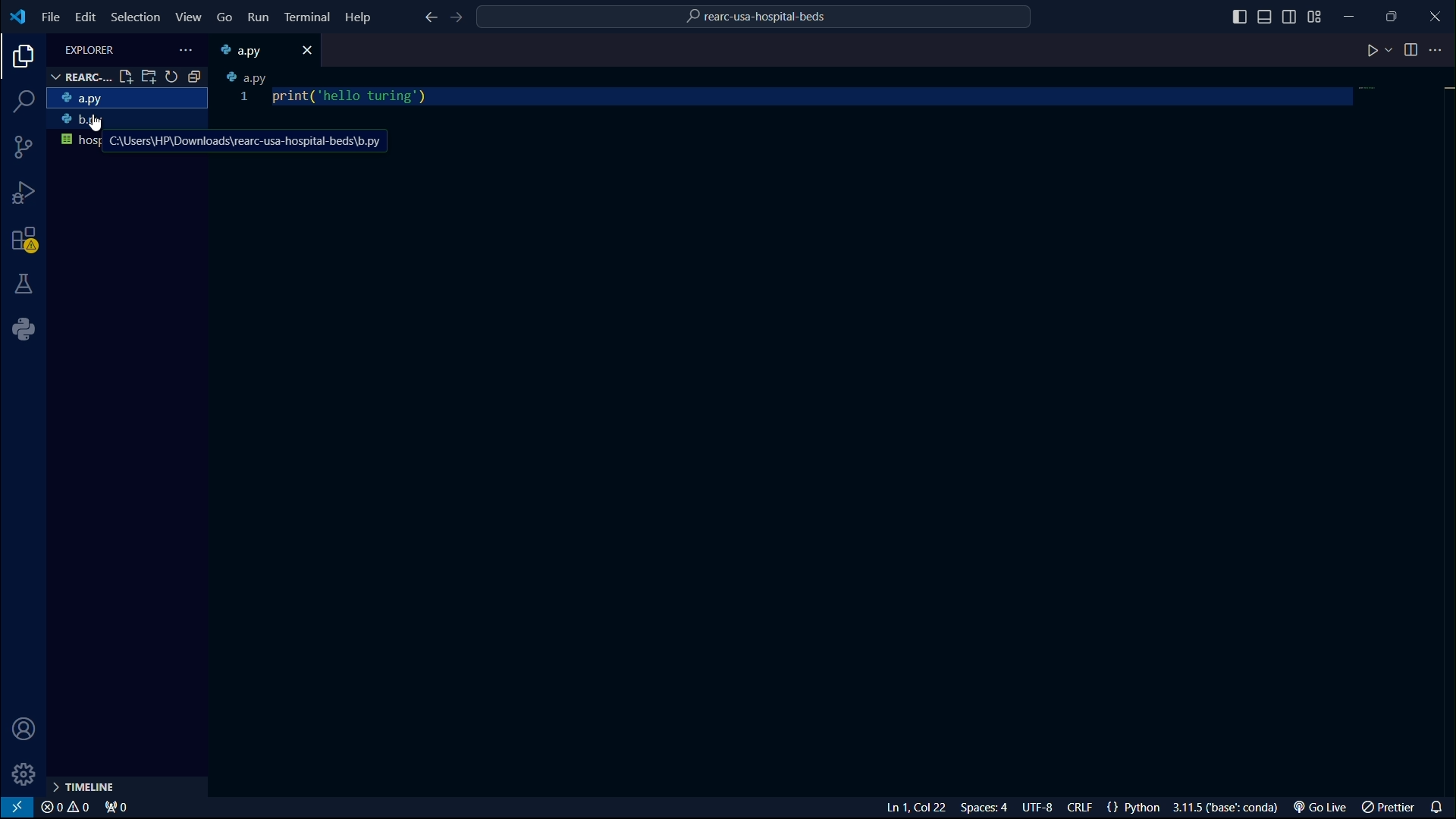  Describe the element at coordinates (190, 15) in the screenshot. I see `view menu` at that location.